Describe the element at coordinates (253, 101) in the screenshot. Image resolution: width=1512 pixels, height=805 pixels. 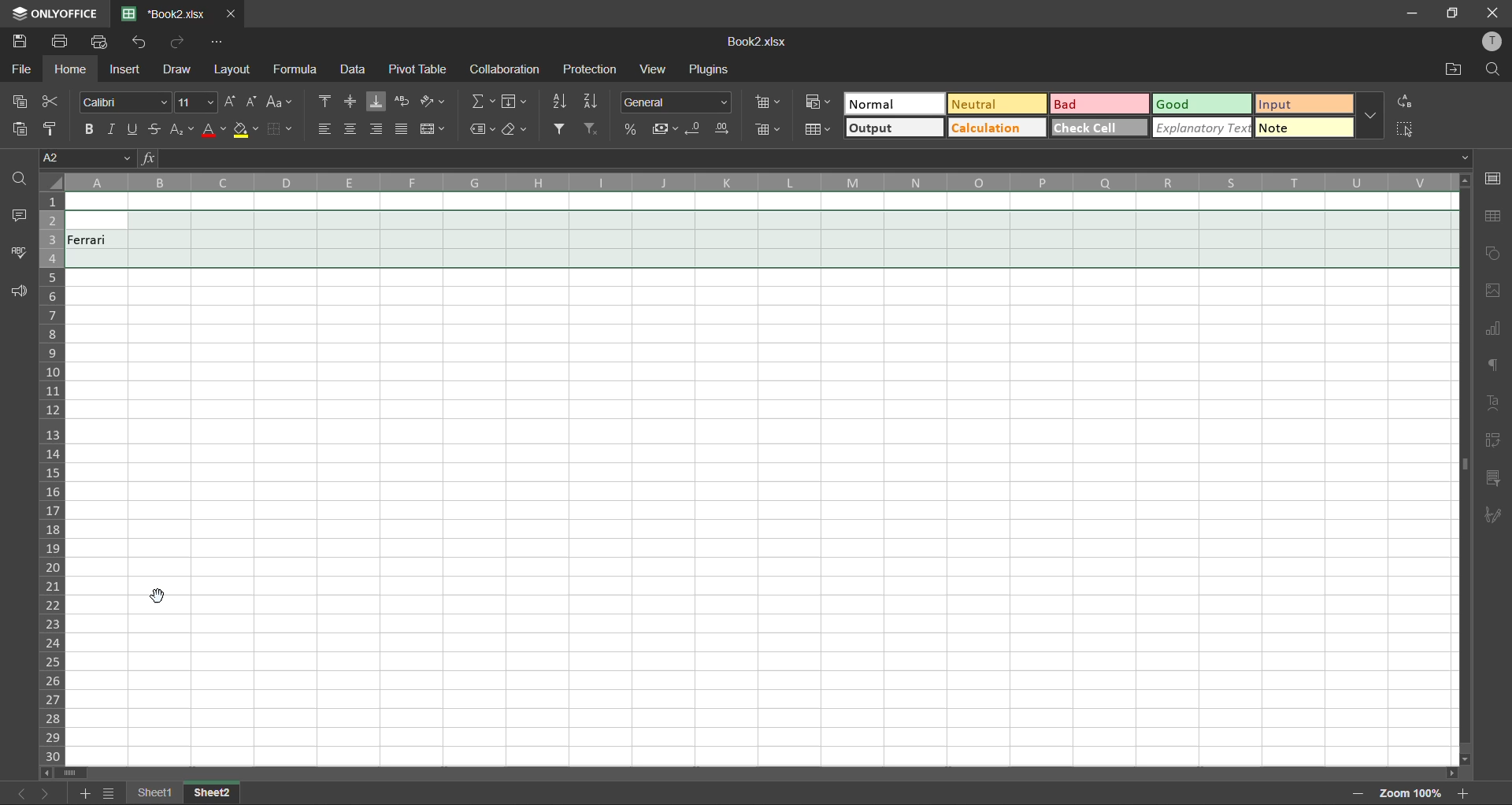
I see `decrement size` at that location.